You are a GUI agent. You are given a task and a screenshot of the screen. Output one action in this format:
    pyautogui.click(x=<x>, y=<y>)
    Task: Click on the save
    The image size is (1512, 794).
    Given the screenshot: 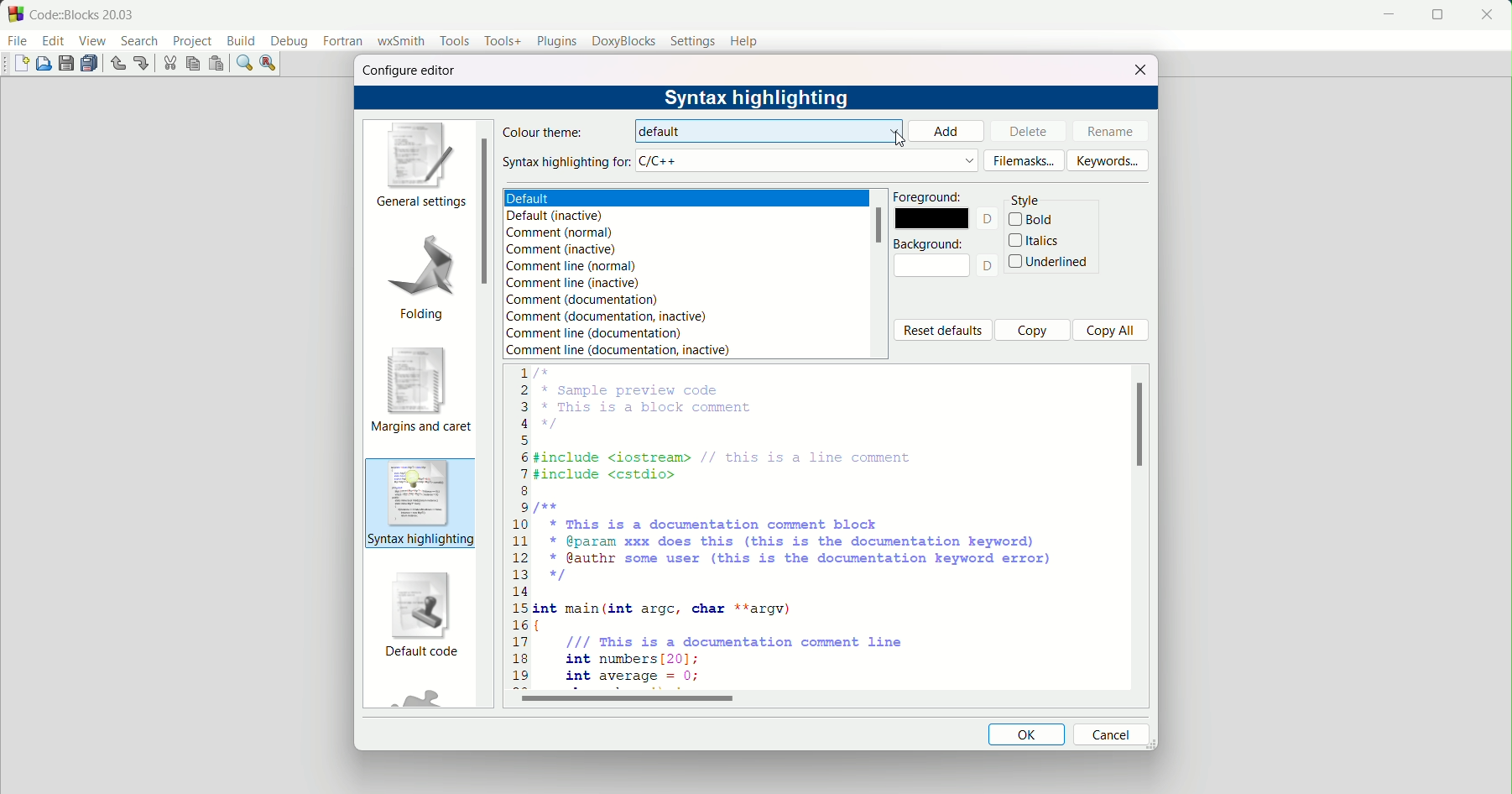 What is the action you would take?
    pyautogui.click(x=66, y=62)
    